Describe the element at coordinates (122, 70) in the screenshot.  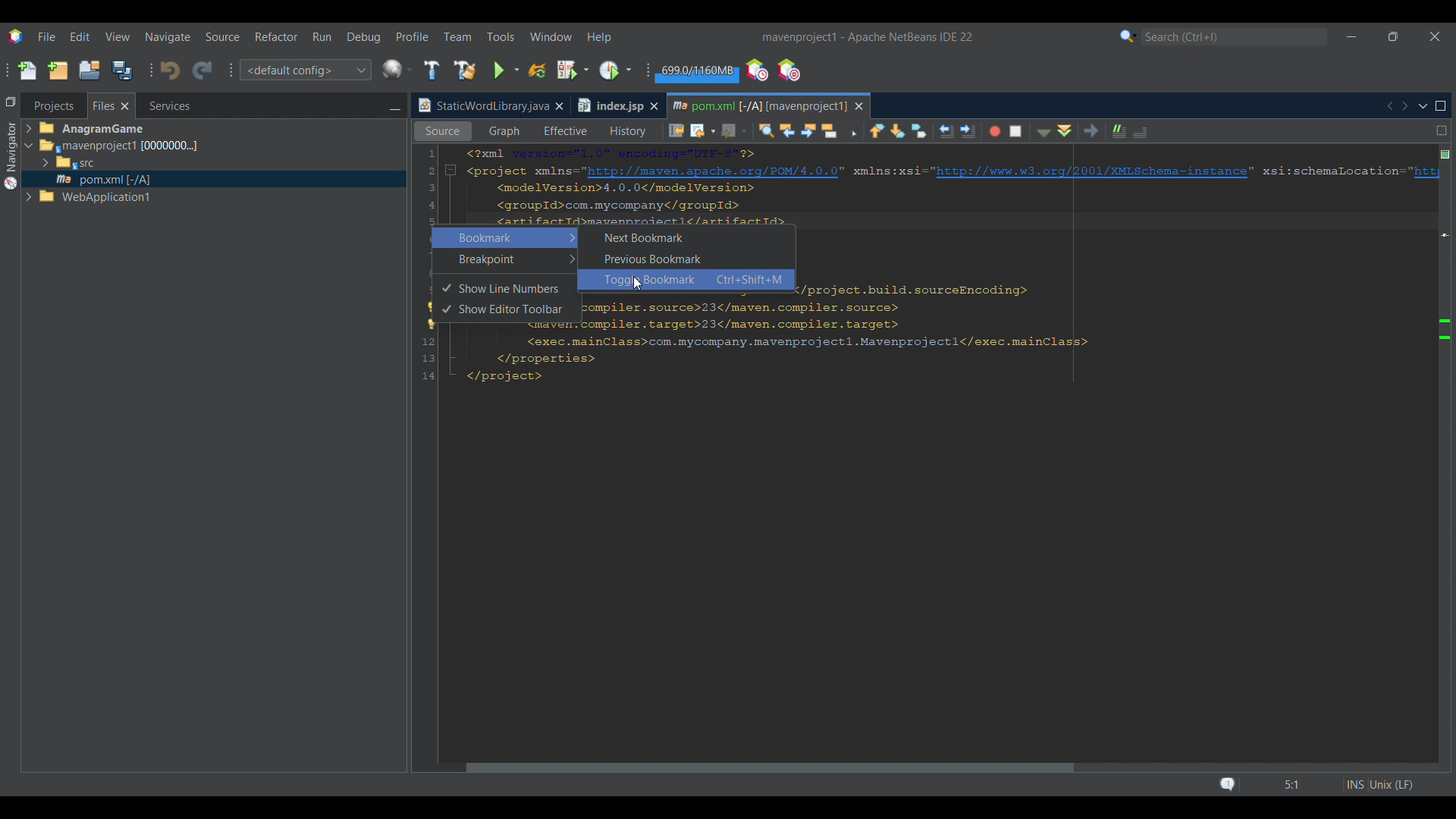
I see `Save all` at that location.